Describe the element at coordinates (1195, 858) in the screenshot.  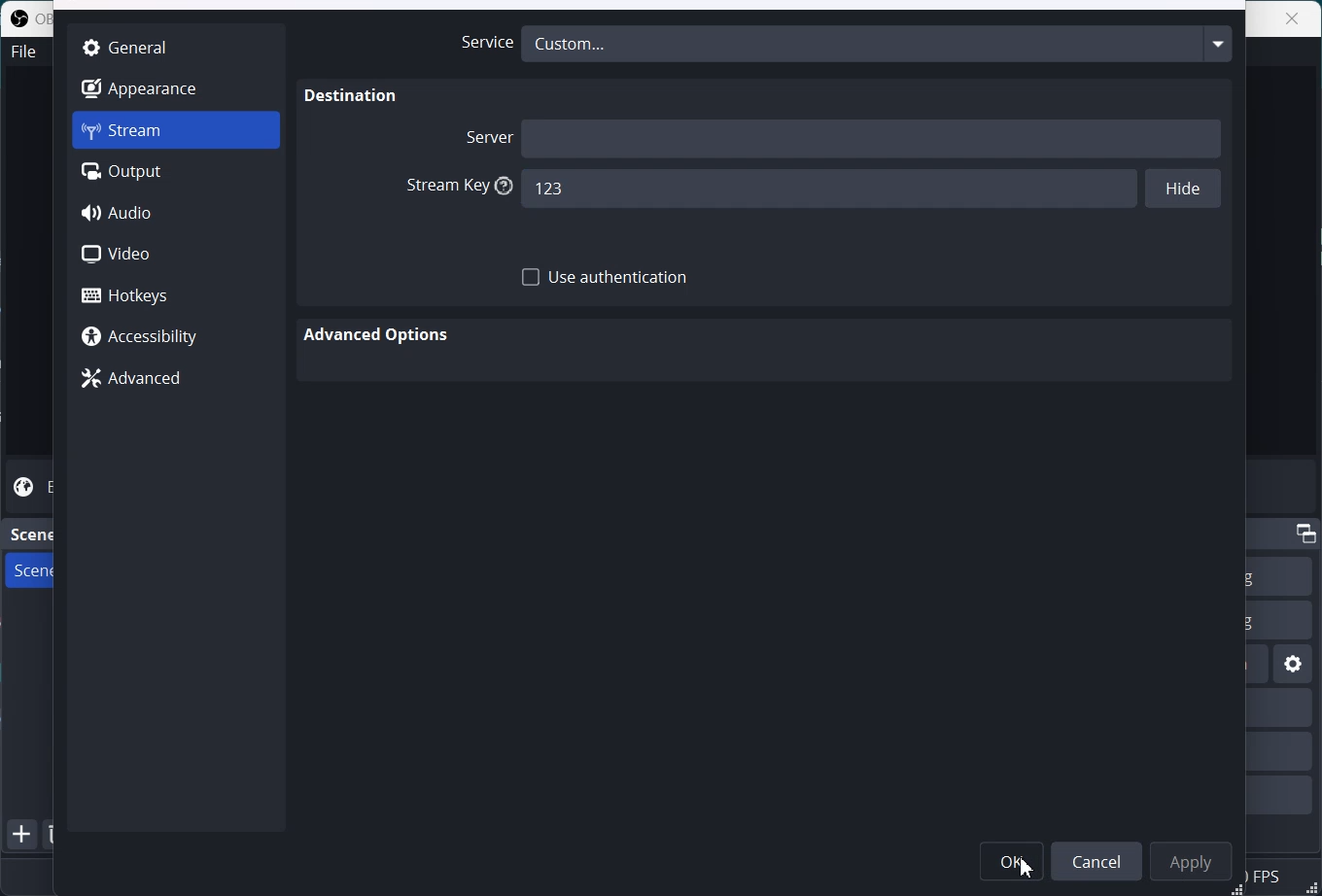
I see `Apply` at that location.